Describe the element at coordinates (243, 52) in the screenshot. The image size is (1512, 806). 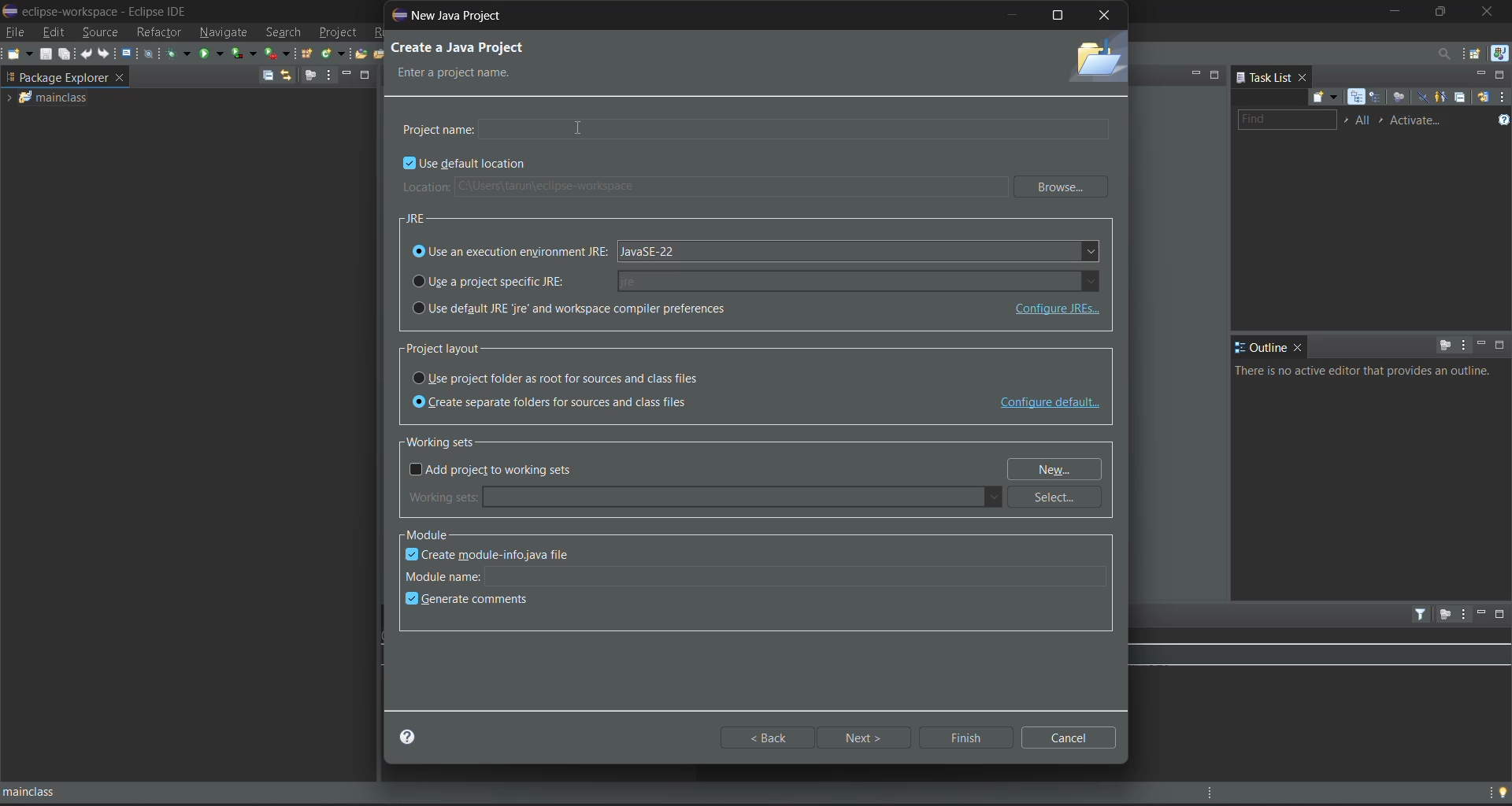
I see `coverage` at that location.